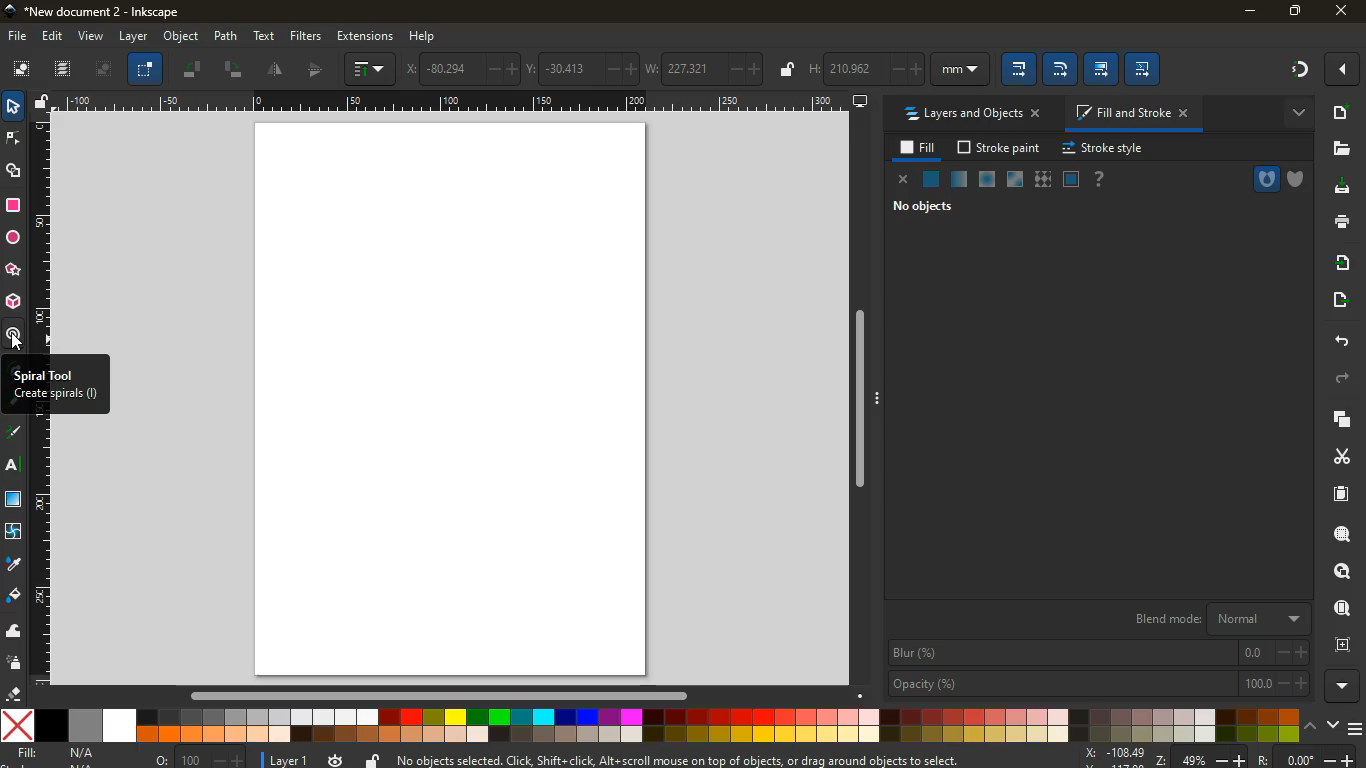  I want to click on divide, so click(276, 70).